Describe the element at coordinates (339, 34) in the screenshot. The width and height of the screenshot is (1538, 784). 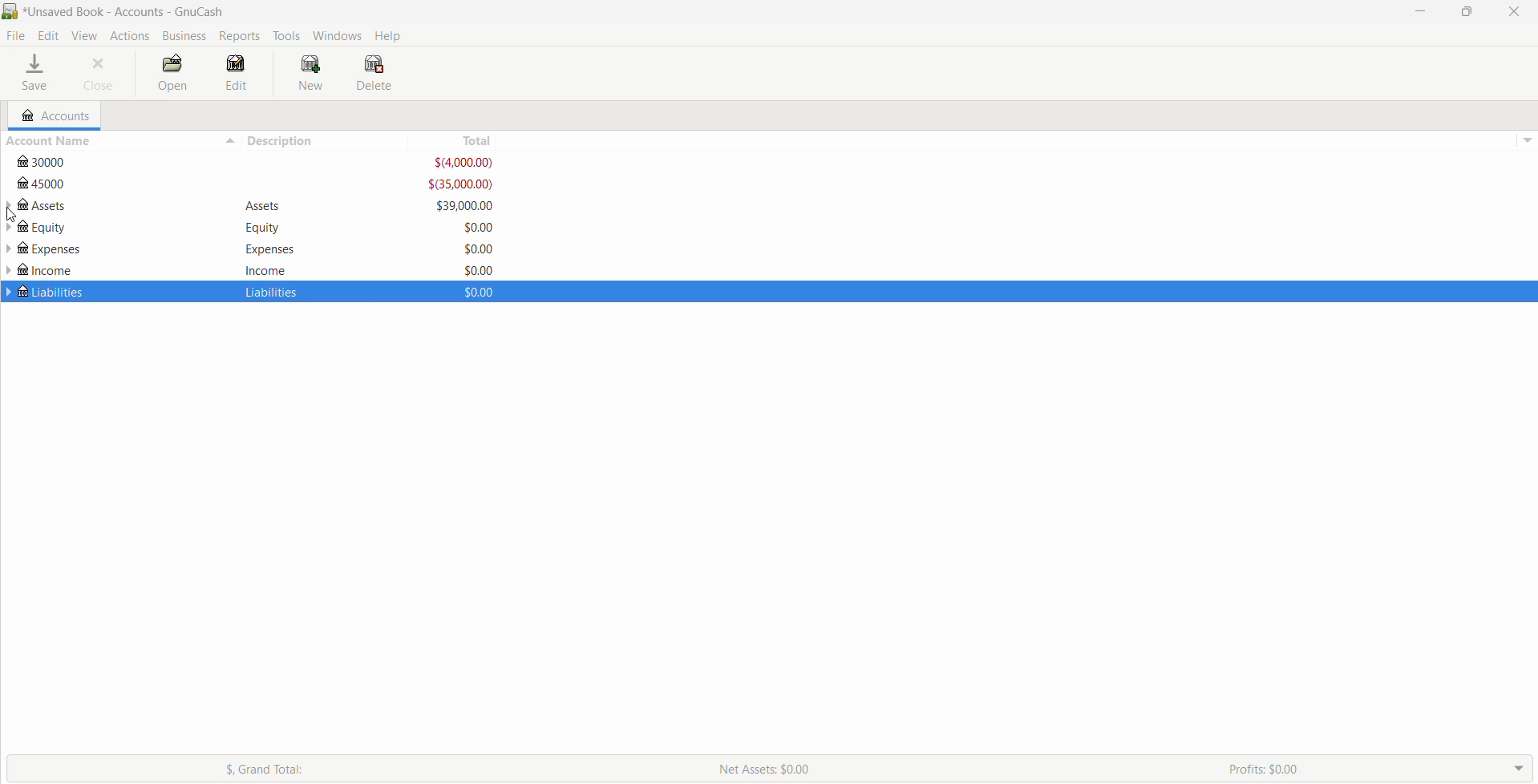
I see `Windows` at that location.